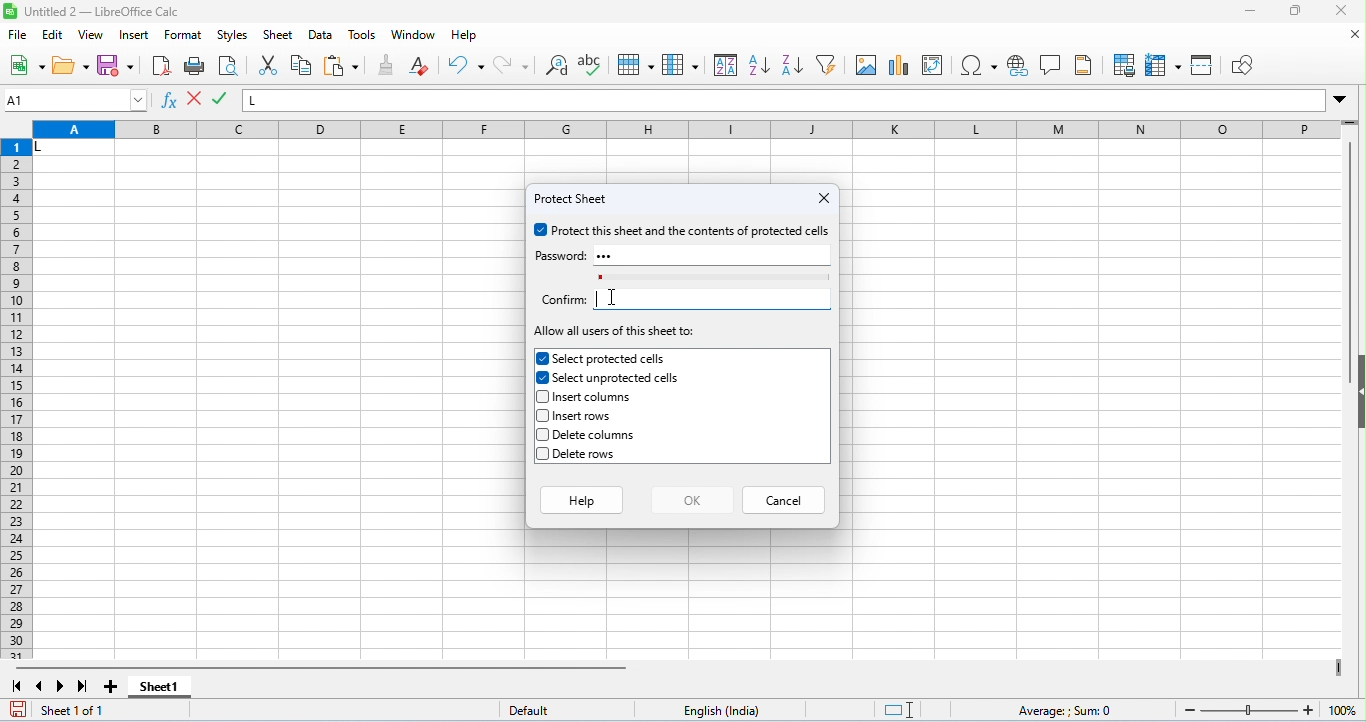 The height and width of the screenshot is (722, 1366). Describe the element at coordinates (1357, 390) in the screenshot. I see `hide` at that location.